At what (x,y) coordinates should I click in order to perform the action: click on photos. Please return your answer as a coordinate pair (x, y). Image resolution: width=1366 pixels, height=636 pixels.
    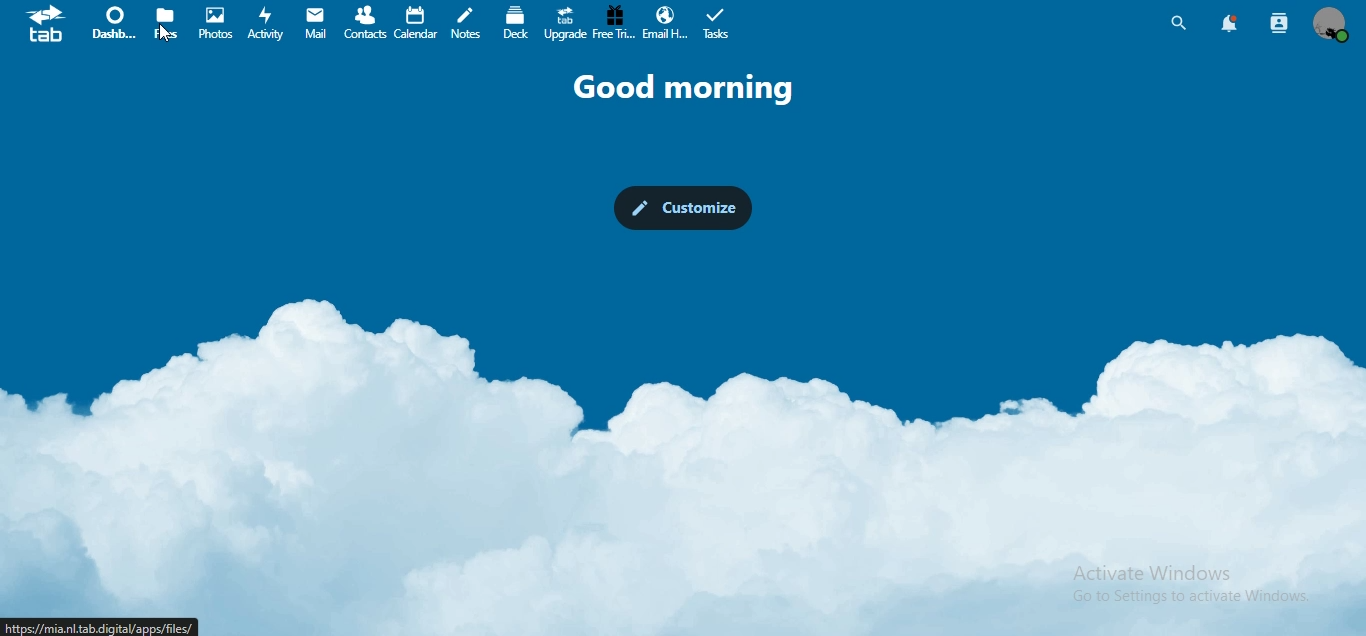
    Looking at the image, I should click on (219, 23).